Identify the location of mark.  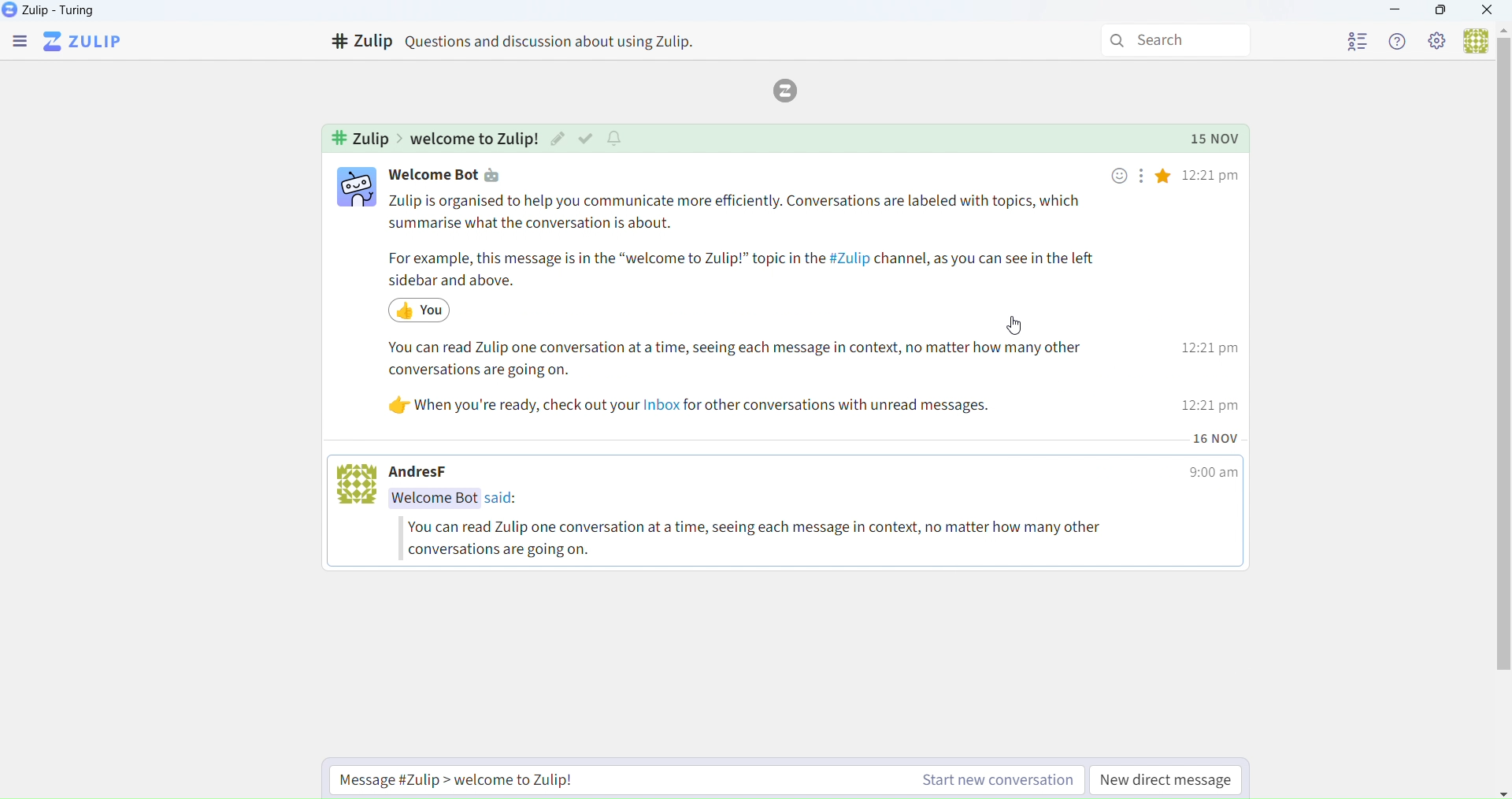
(586, 138).